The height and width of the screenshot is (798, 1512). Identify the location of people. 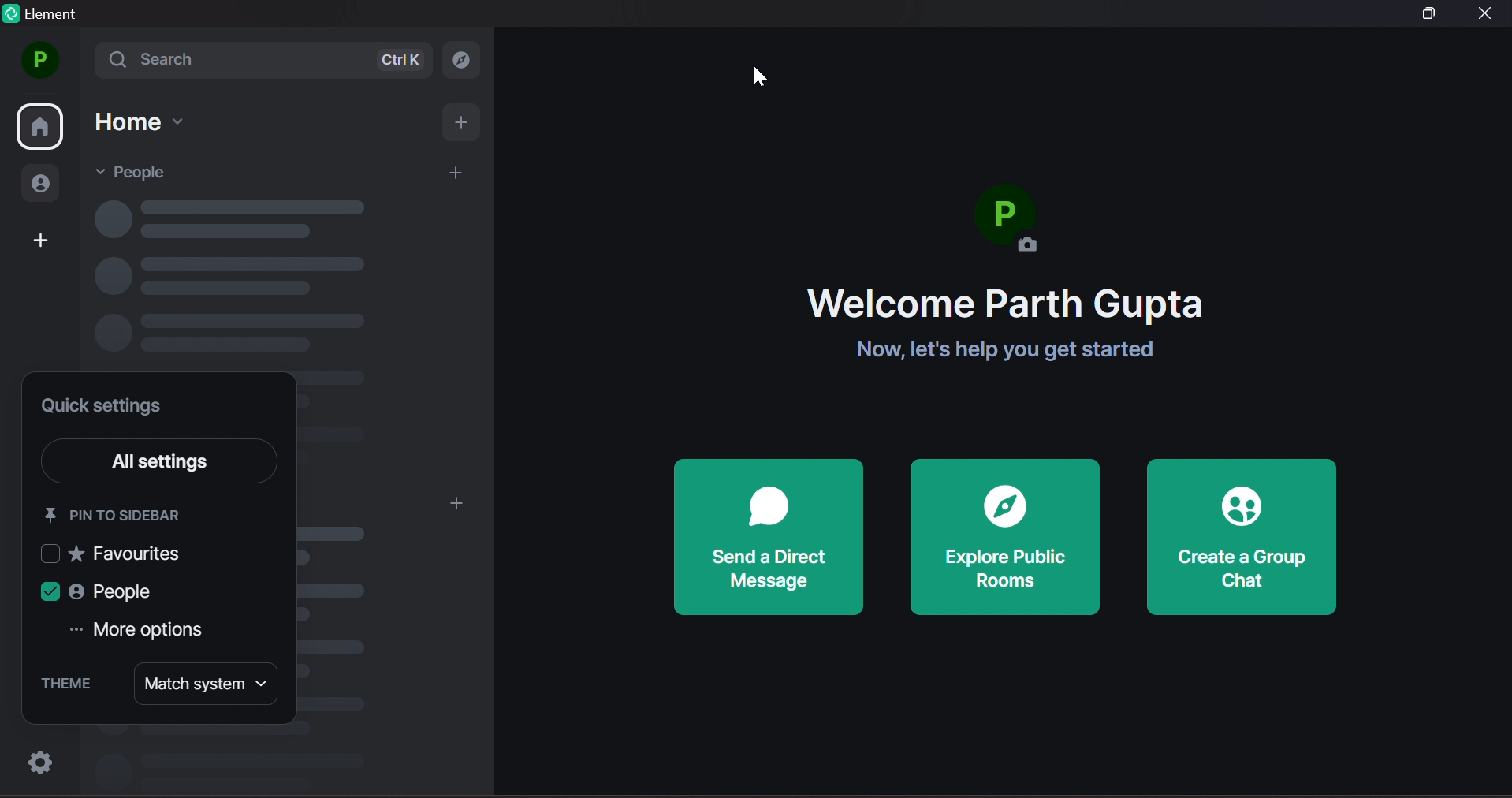
(140, 171).